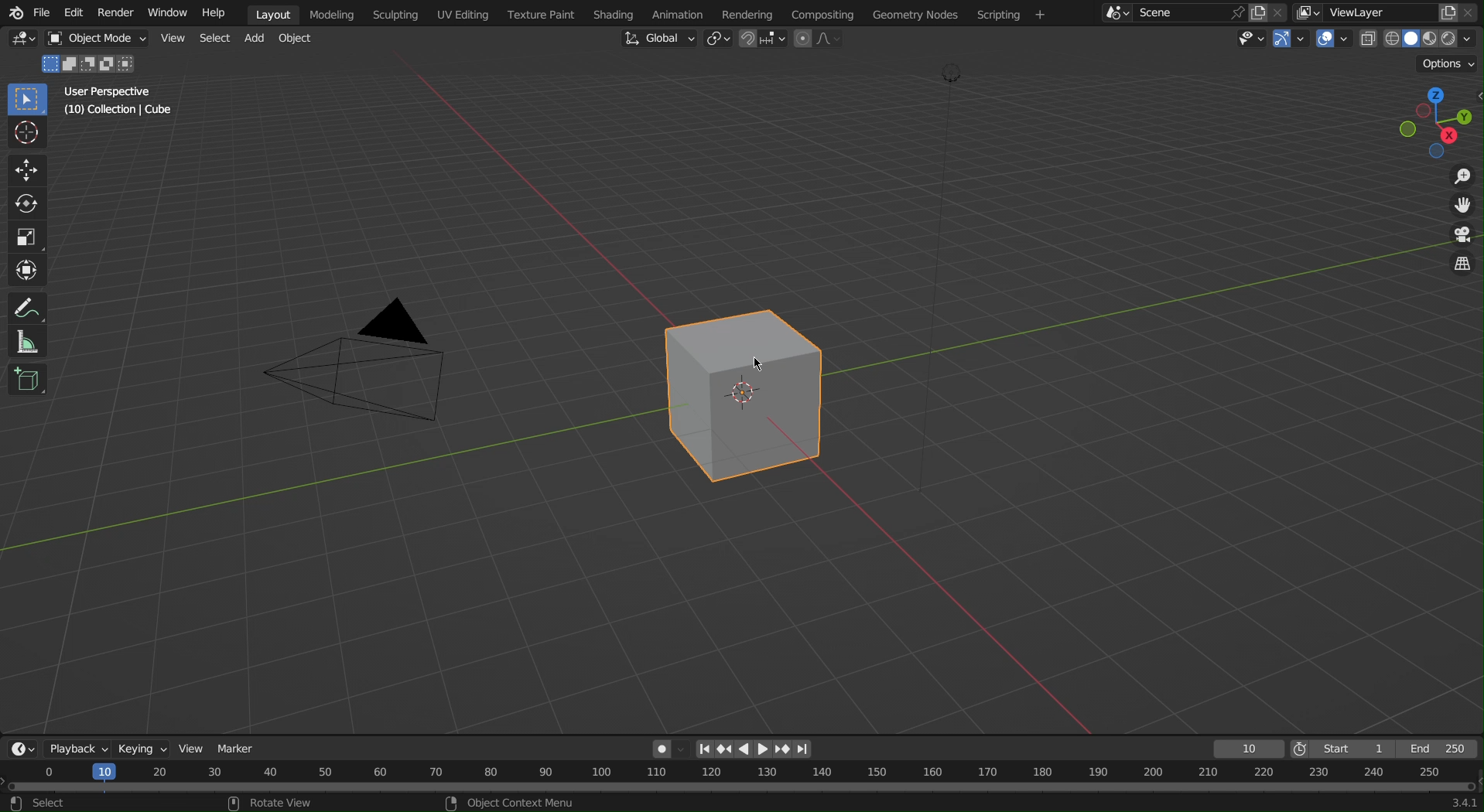 This screenshot has height=812, width=1484. I want to click on Toggle View, so click(1460, 266).